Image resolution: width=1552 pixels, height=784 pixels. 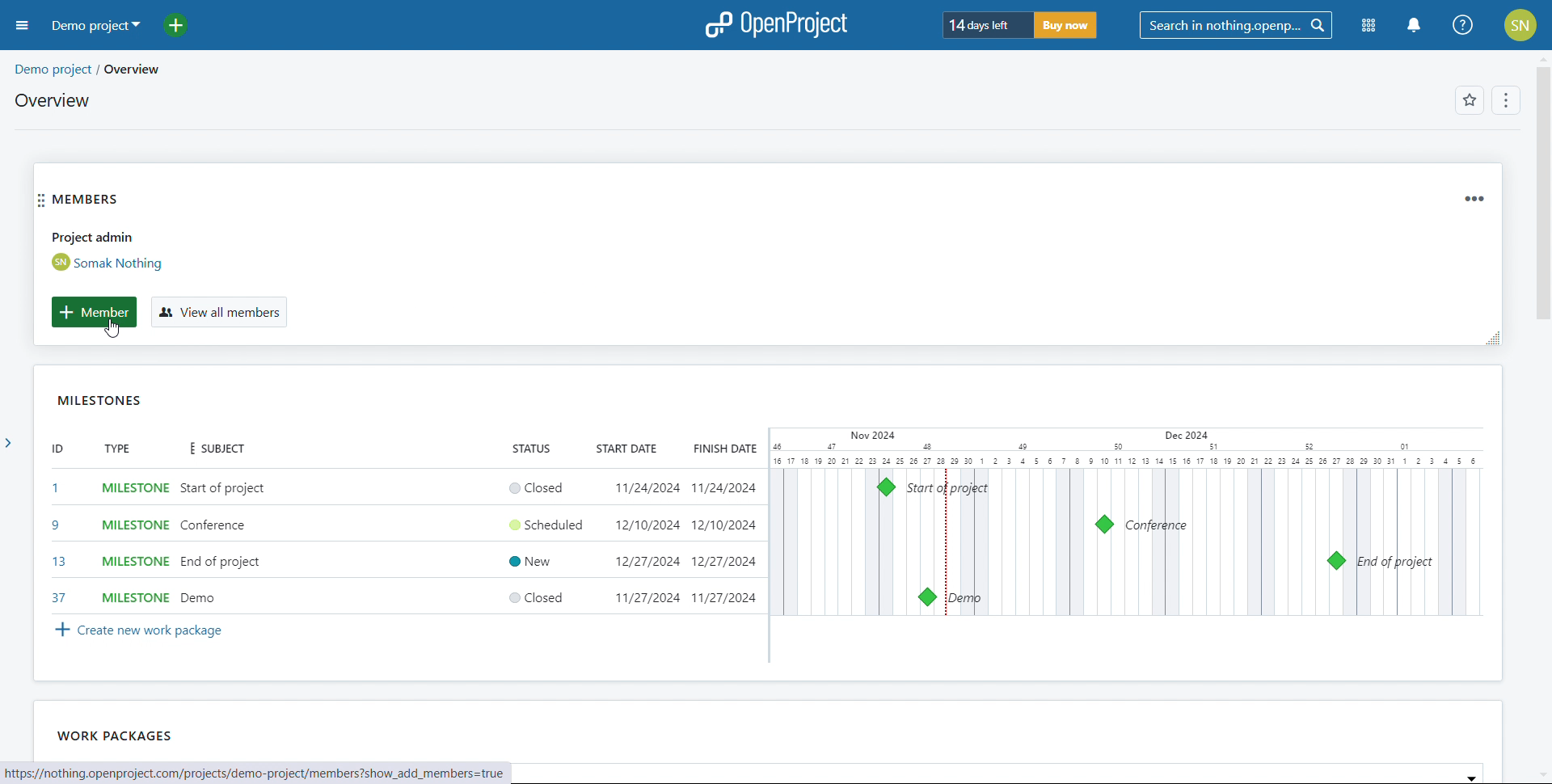 I want to click on /overview, so click(x=136, y=69).